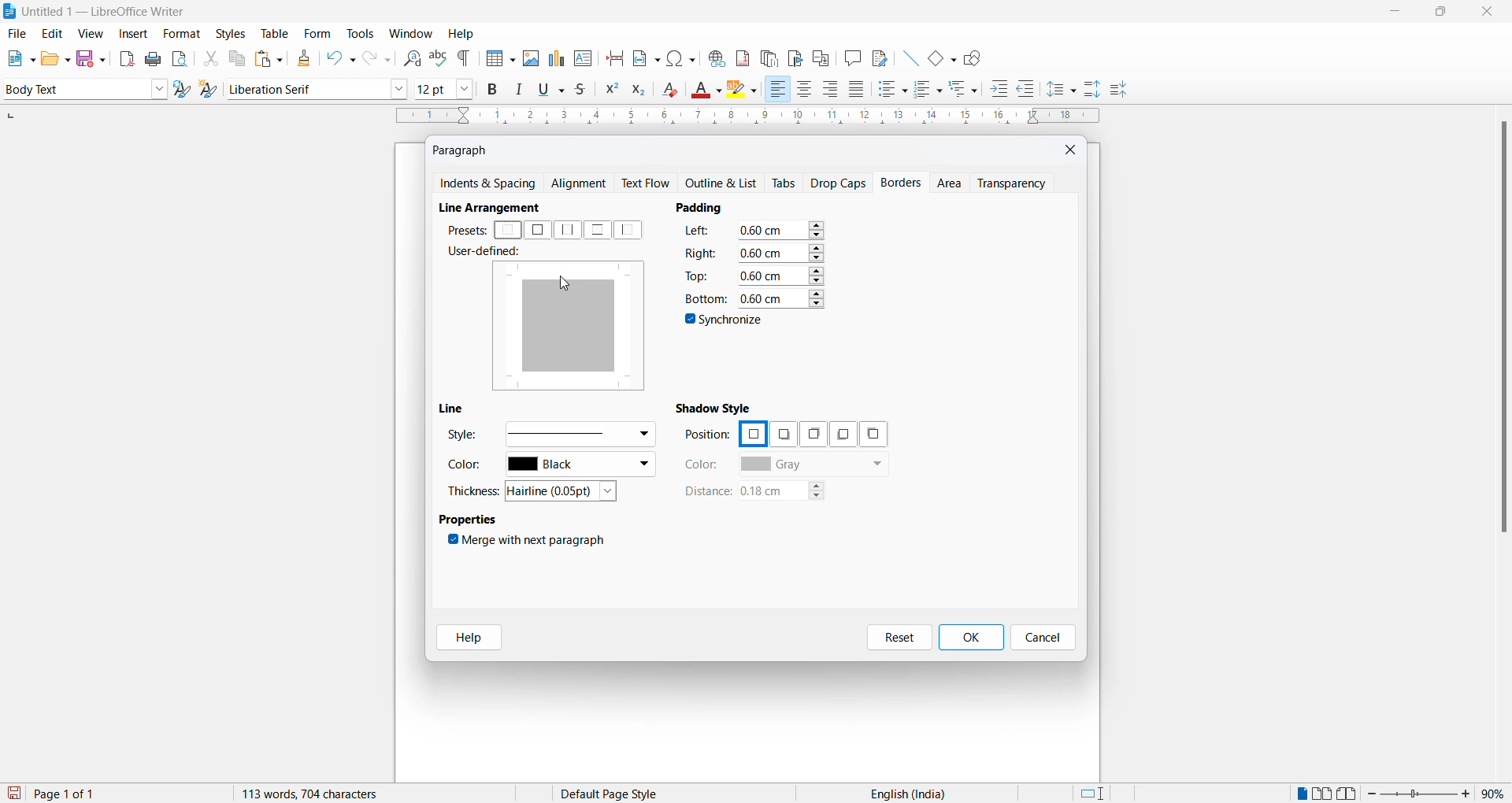 The height and width of the screenshot is (803, 1512). I want to click on justified, so click(858, 91).